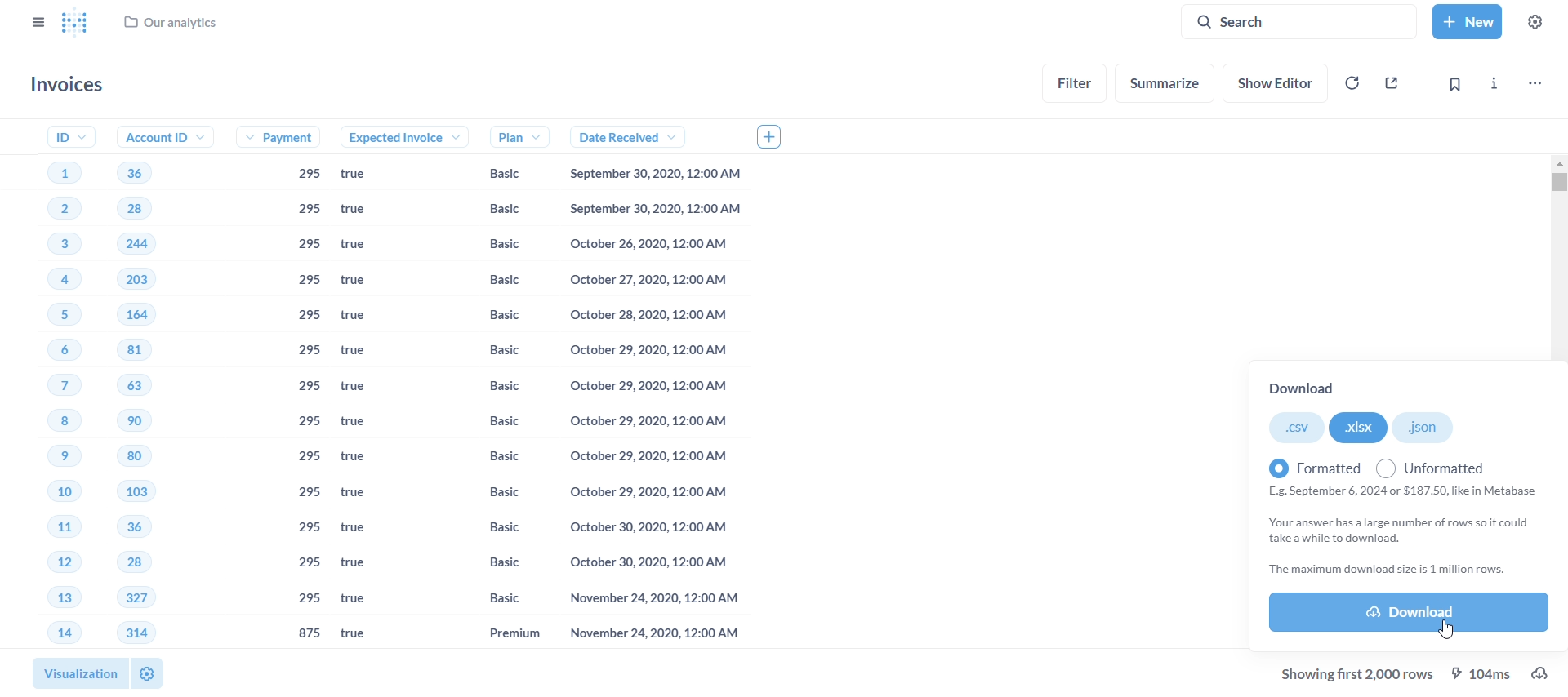  What do you see at coordinates (60, 171) in the screenshot?
I see `1` at bounding box center [60, 171].